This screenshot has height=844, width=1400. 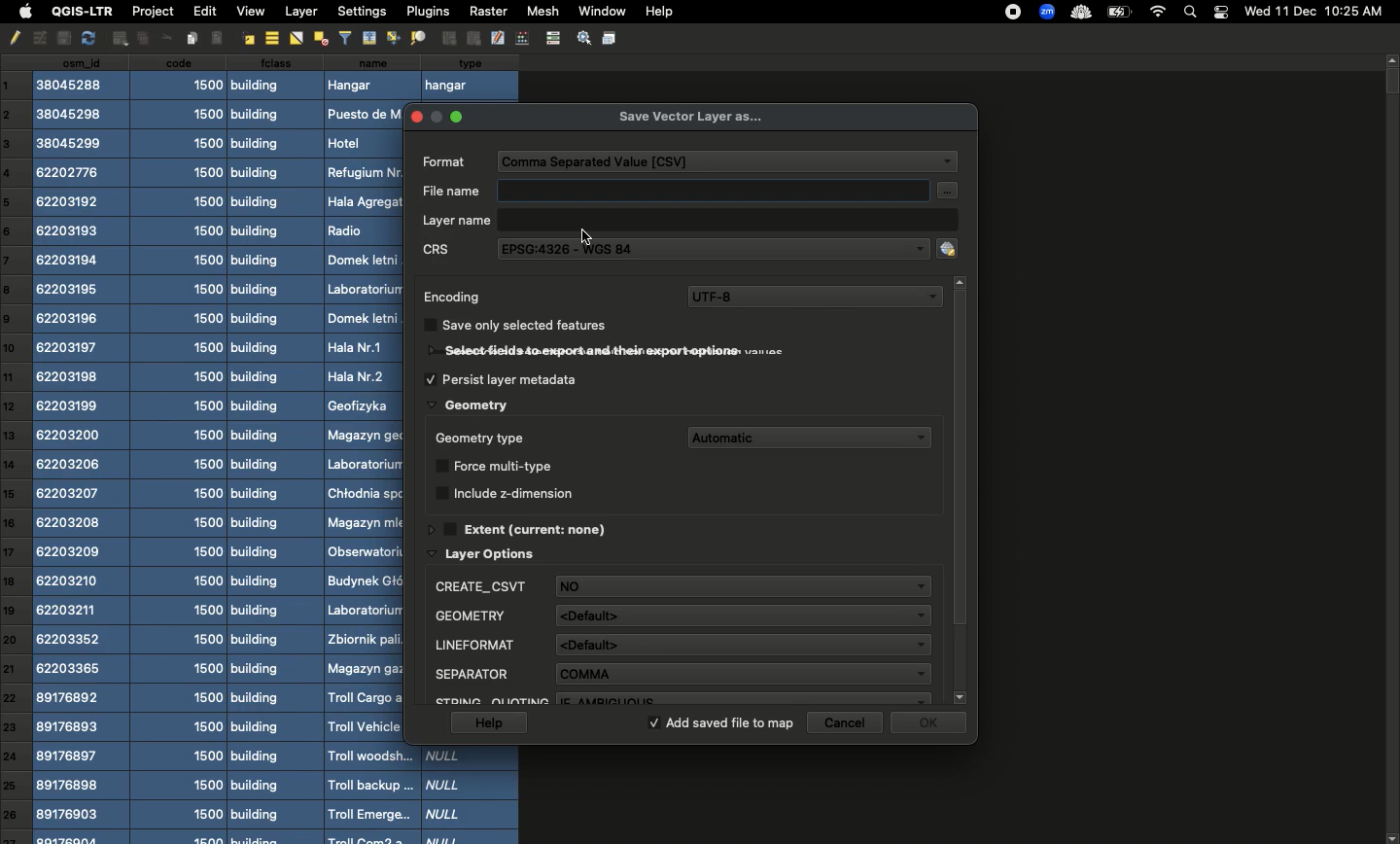 What do you see at coordinates (369, 37) in the screenshot?
I see `Align Top` at bounding box center [369, 37].